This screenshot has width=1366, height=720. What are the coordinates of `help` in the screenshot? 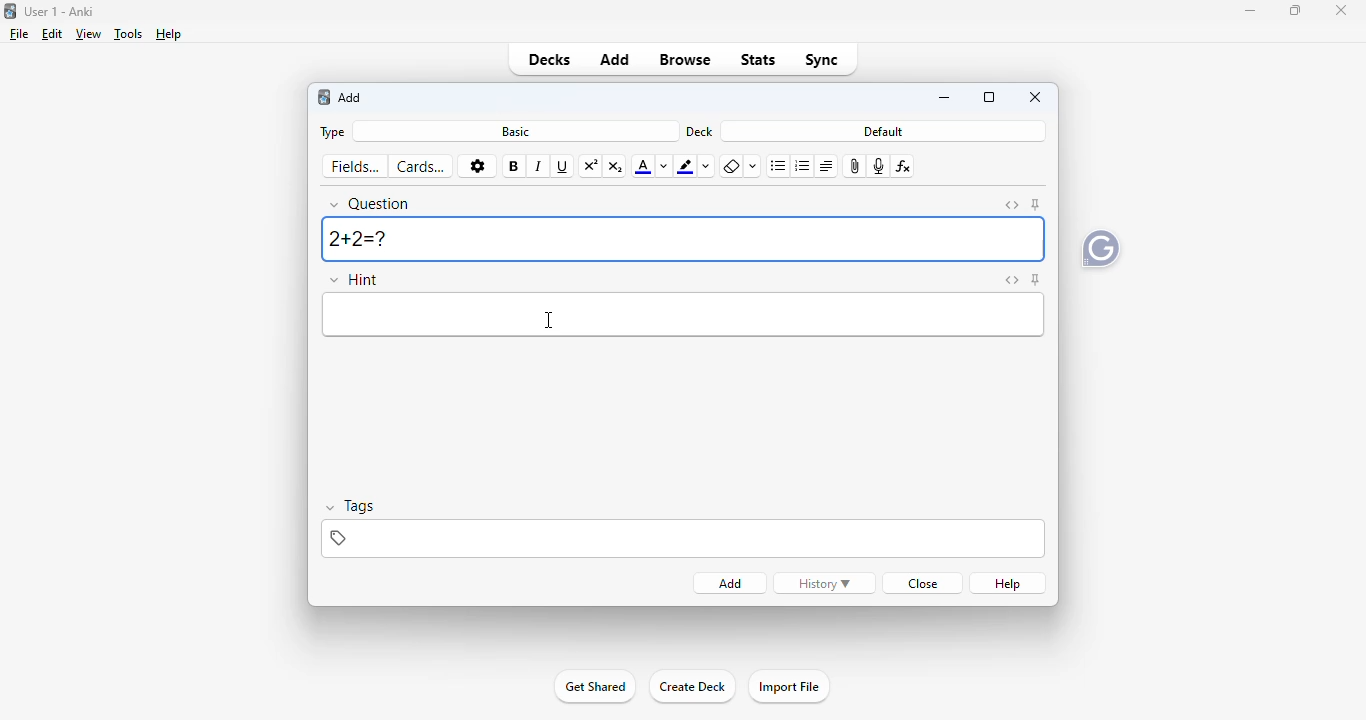 It's located at (1009, 584).